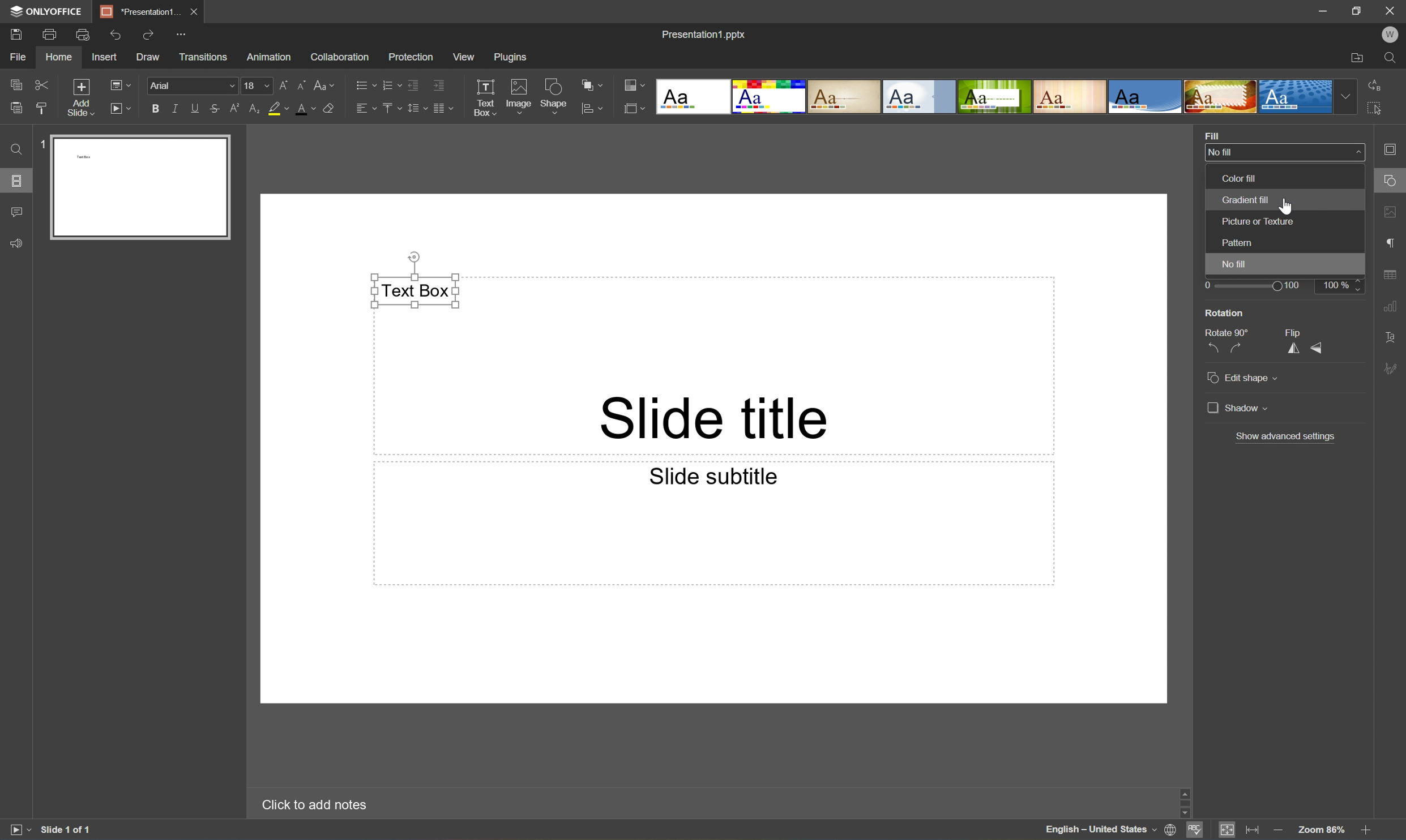  What do you see at coordinates (412, 57) in the screenshot?
I see `Protection` at bounding box center [412, 57].